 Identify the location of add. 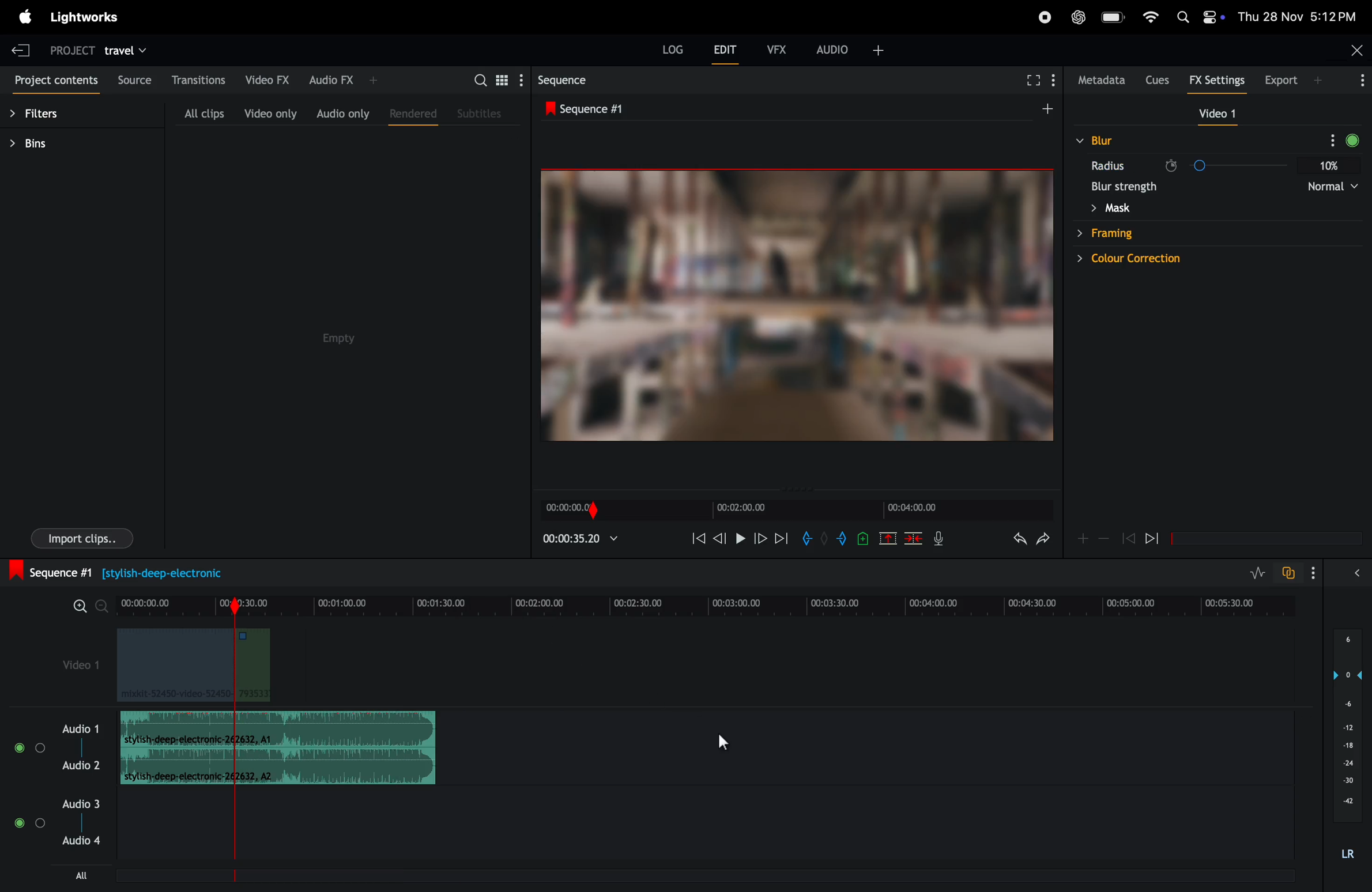
(1039, 112).